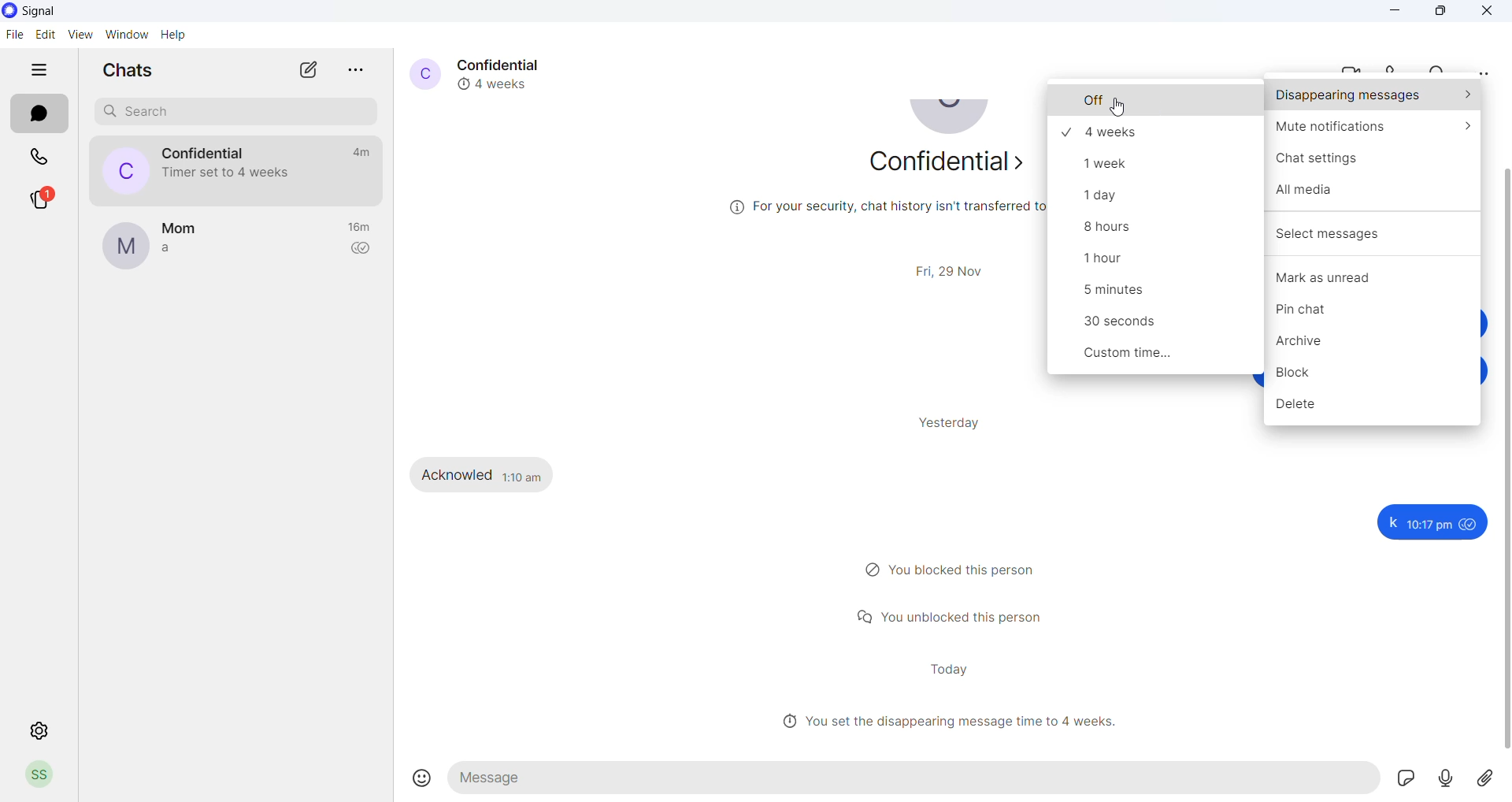 The image size is (1512, 802). Describe the element at coordinates (40, 13) in the screenshot. I see `application name and logo` at that location.